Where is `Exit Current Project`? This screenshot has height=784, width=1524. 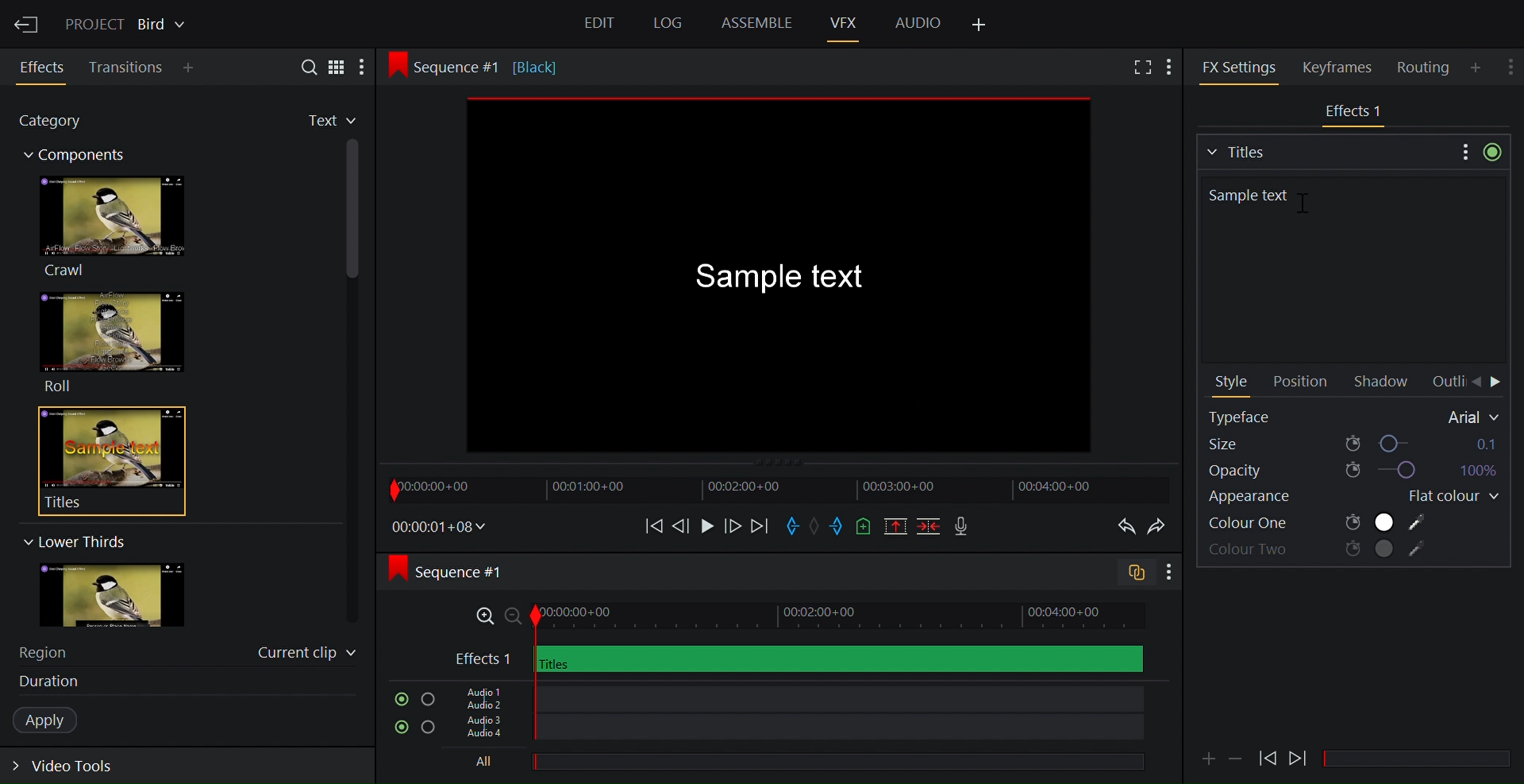
Exit Current Project is located at coordinates (28, 22).